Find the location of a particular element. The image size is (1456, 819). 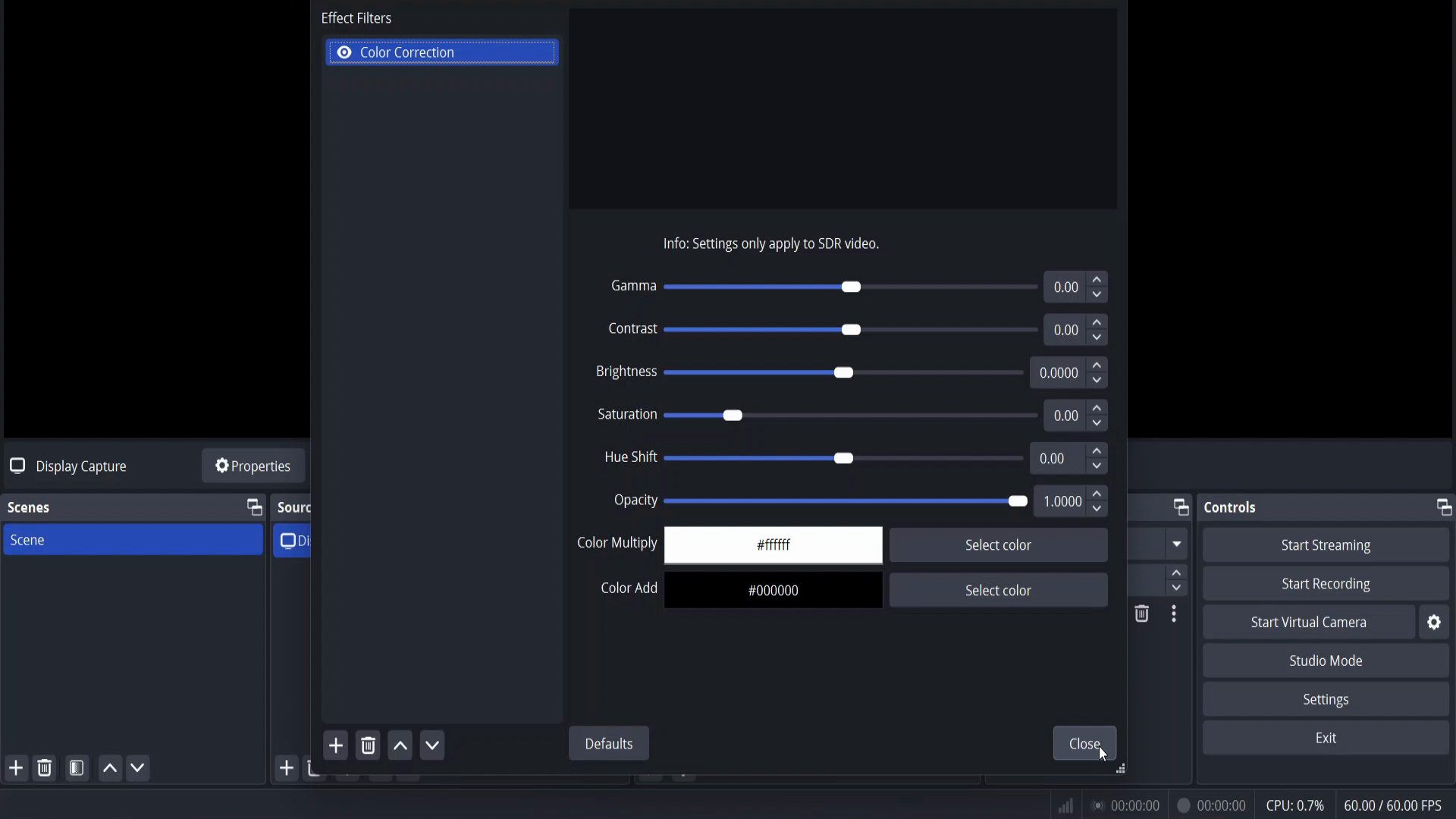

cpu usage is located at coordinates (1294, 805).